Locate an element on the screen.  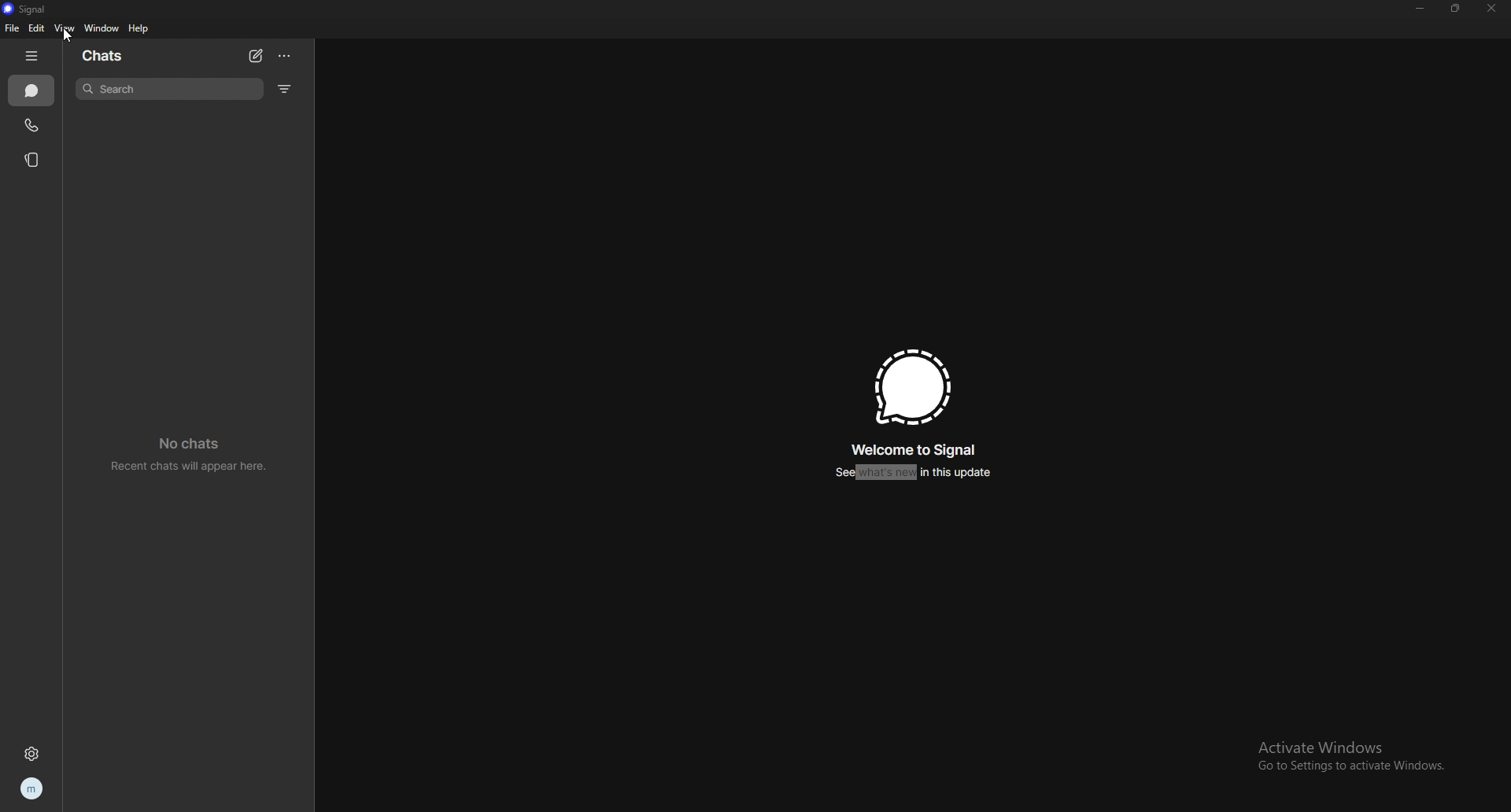
window is located at coordinates (102, 28).